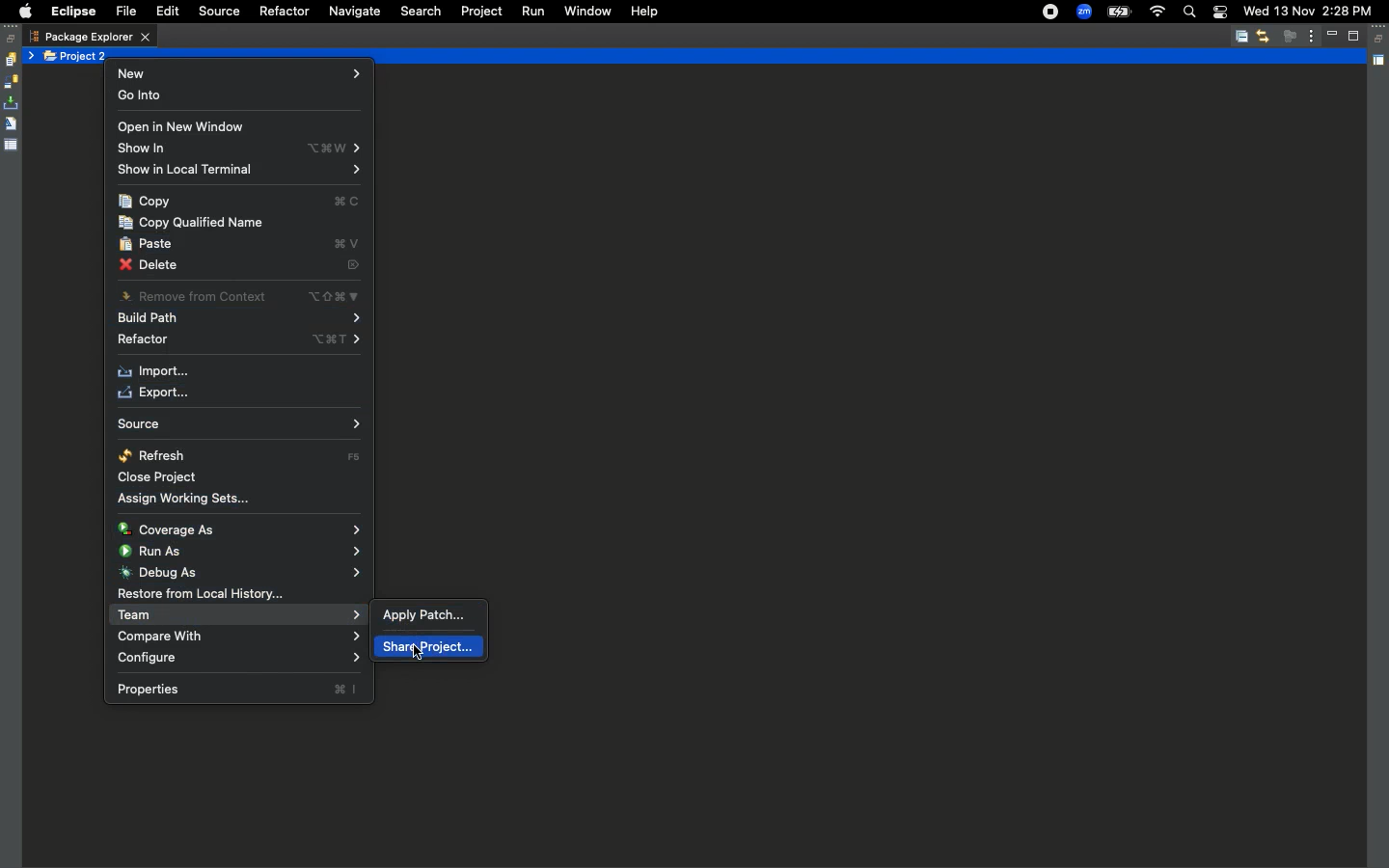 This screenshot has height=868, width=1389. I want to click on Properties, so click(12, 144).